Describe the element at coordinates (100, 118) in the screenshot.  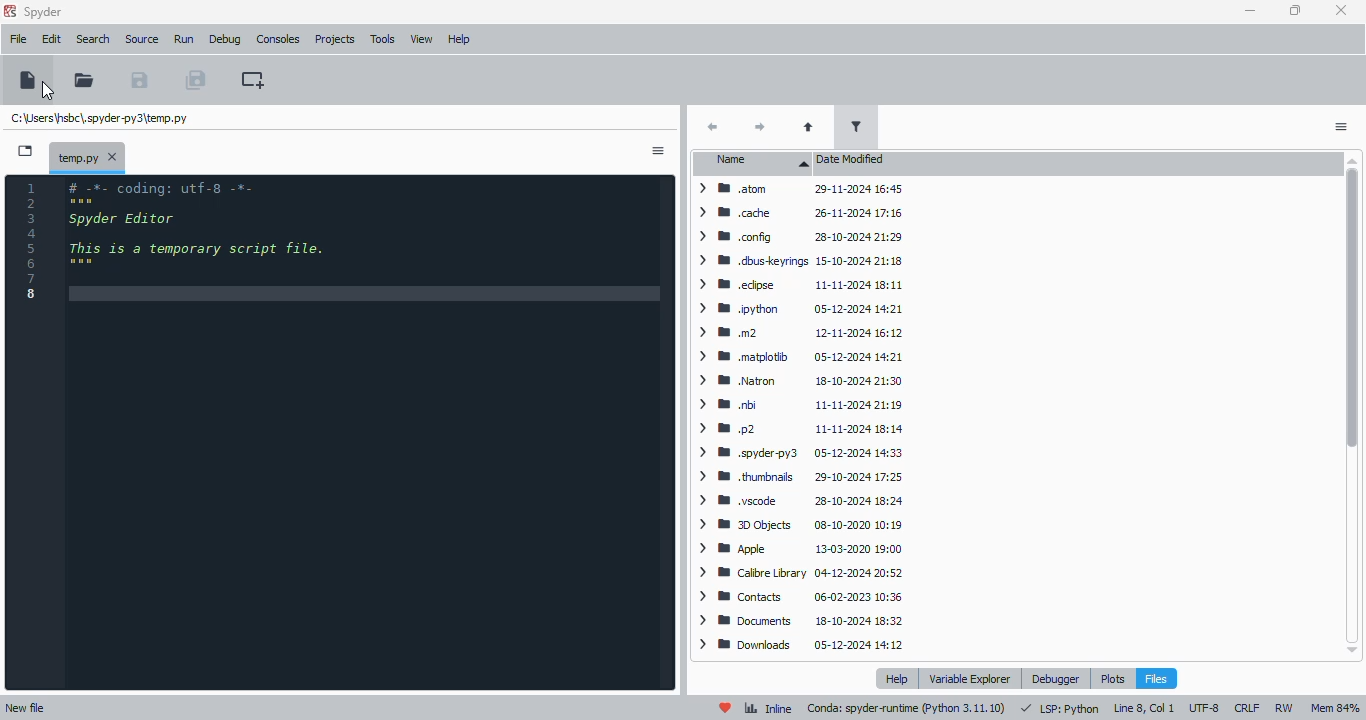
I see `temporary file` at that location.